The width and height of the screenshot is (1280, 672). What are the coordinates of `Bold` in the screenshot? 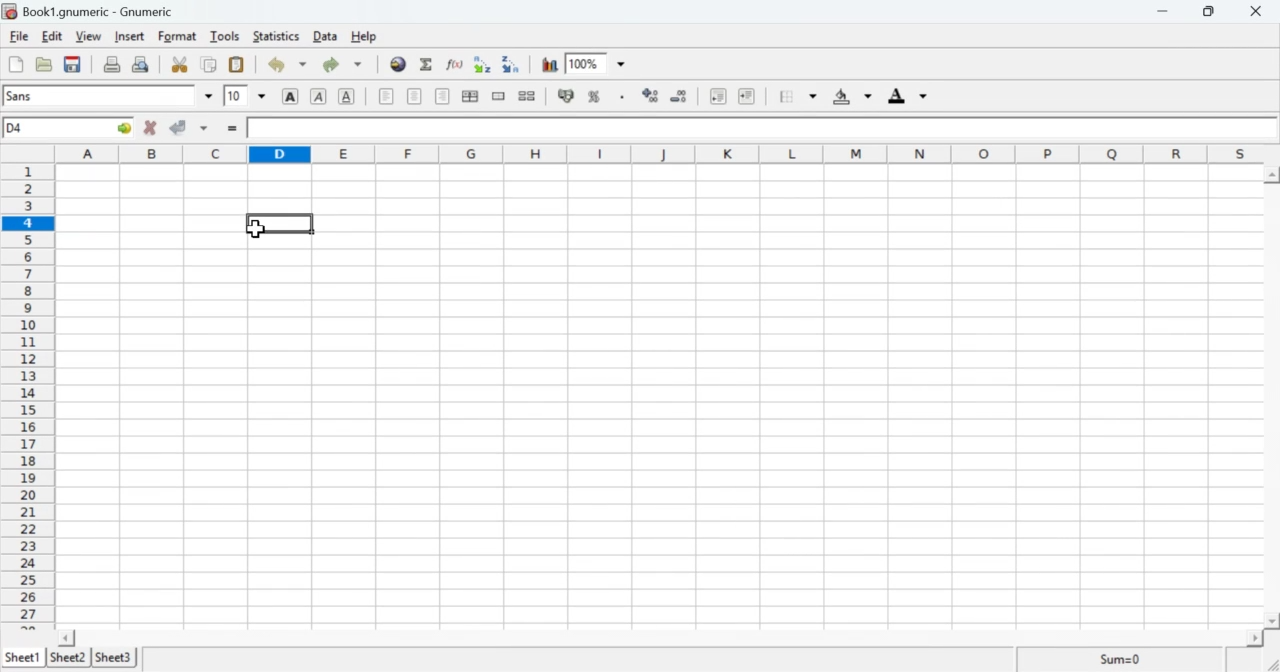 It's located at (290, 96).